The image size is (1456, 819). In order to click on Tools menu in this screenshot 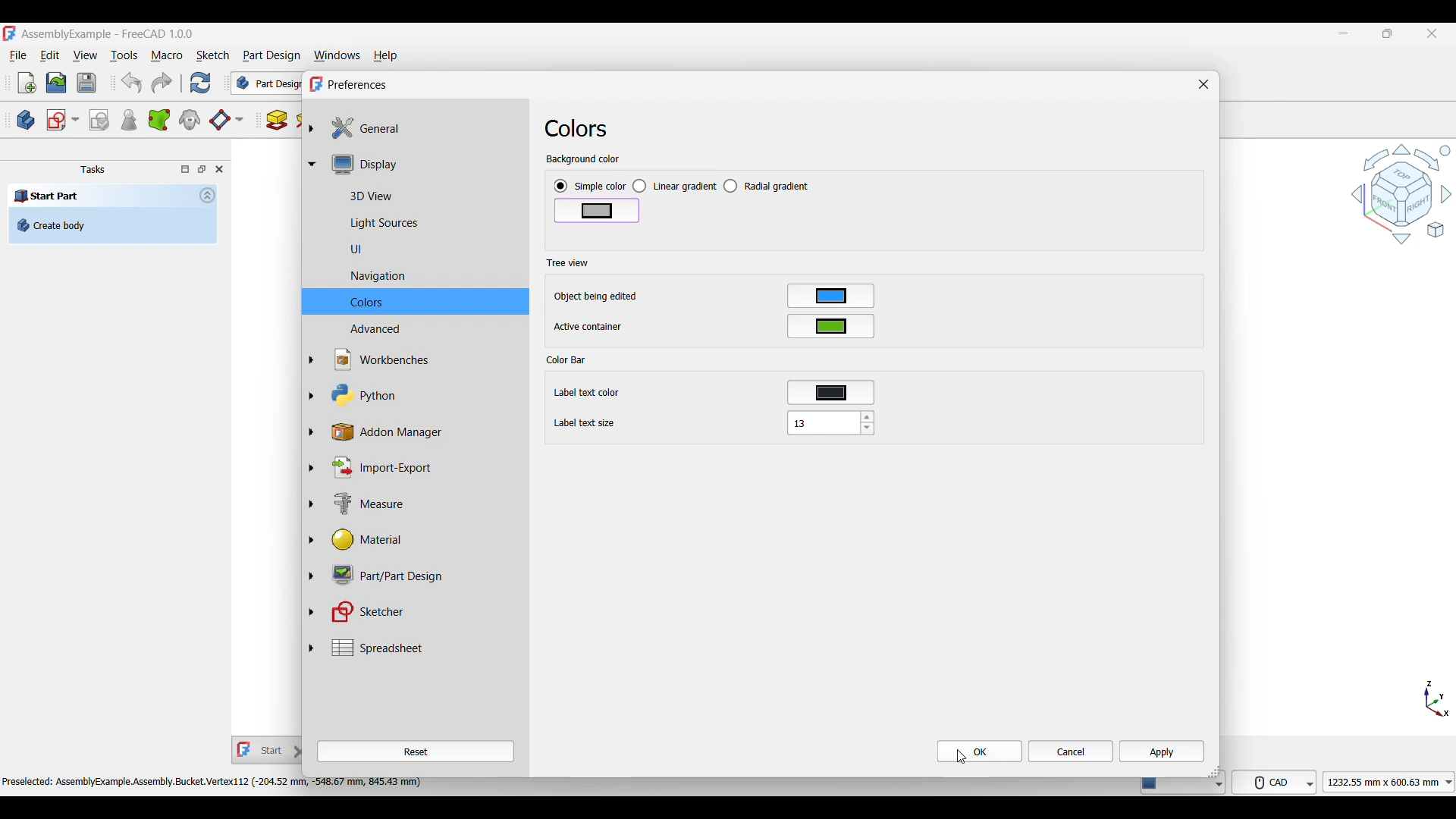, I will do `click(124, 55)`.